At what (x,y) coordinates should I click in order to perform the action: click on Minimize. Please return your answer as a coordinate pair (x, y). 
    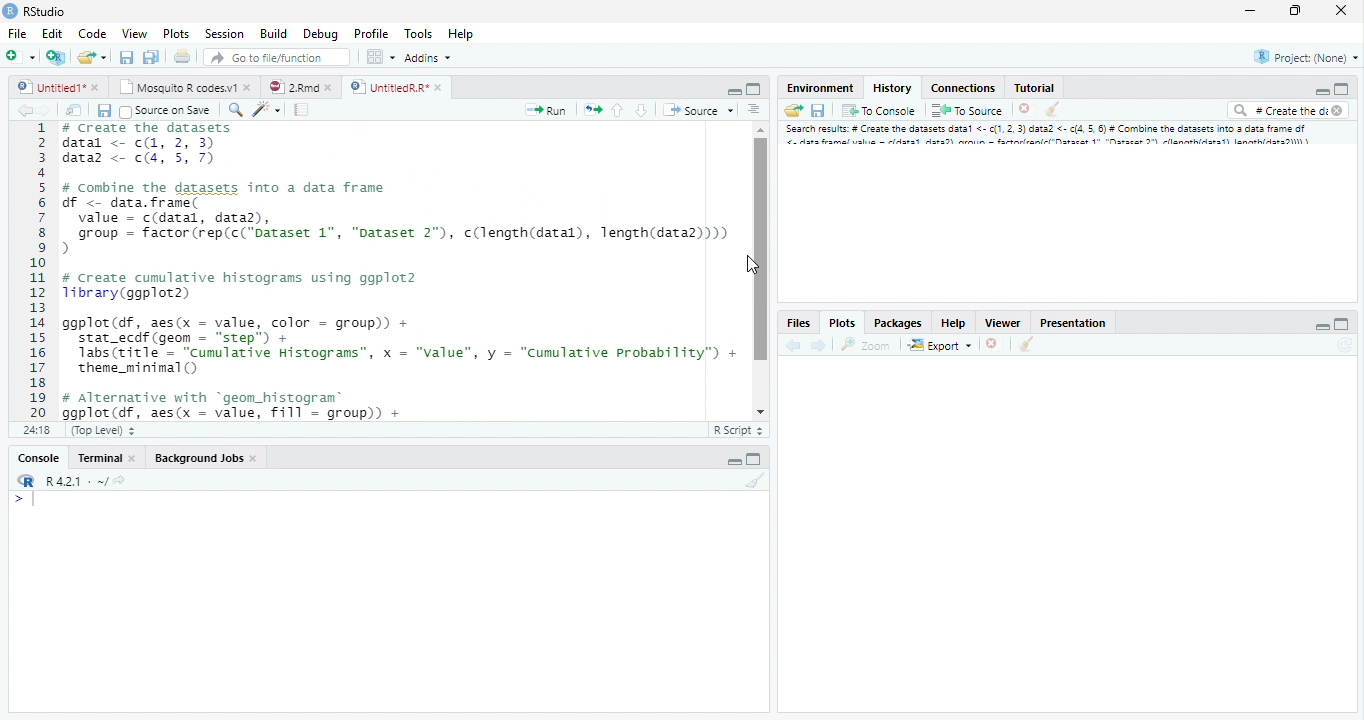
    Looking at the image, I should click on (1319, 325).